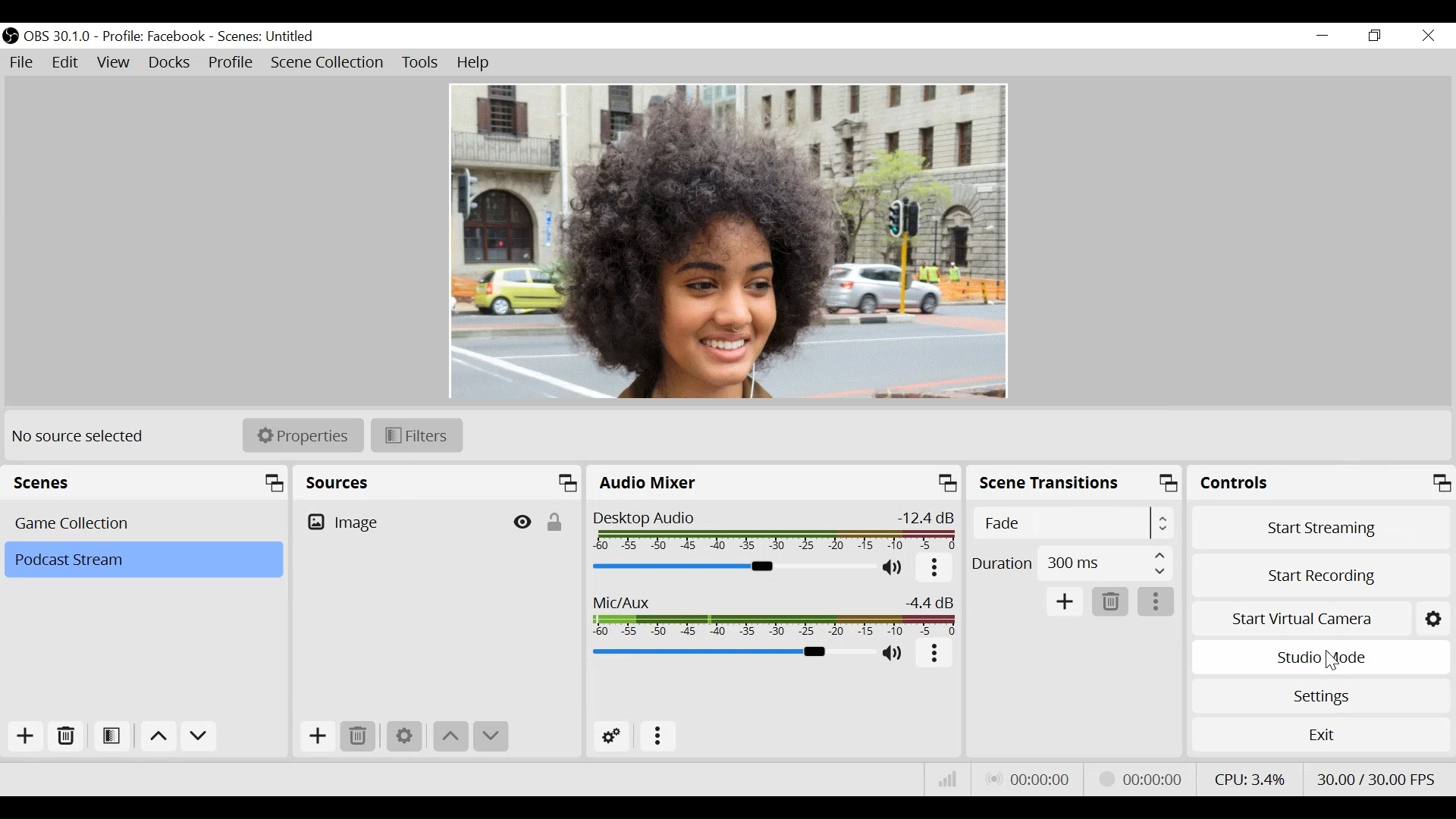 This screenshot has width=1456, height=819. Describe the element at coordinates (11, 36) in the screenshot. I see `OBS Studio Desktop Icon` at that location.